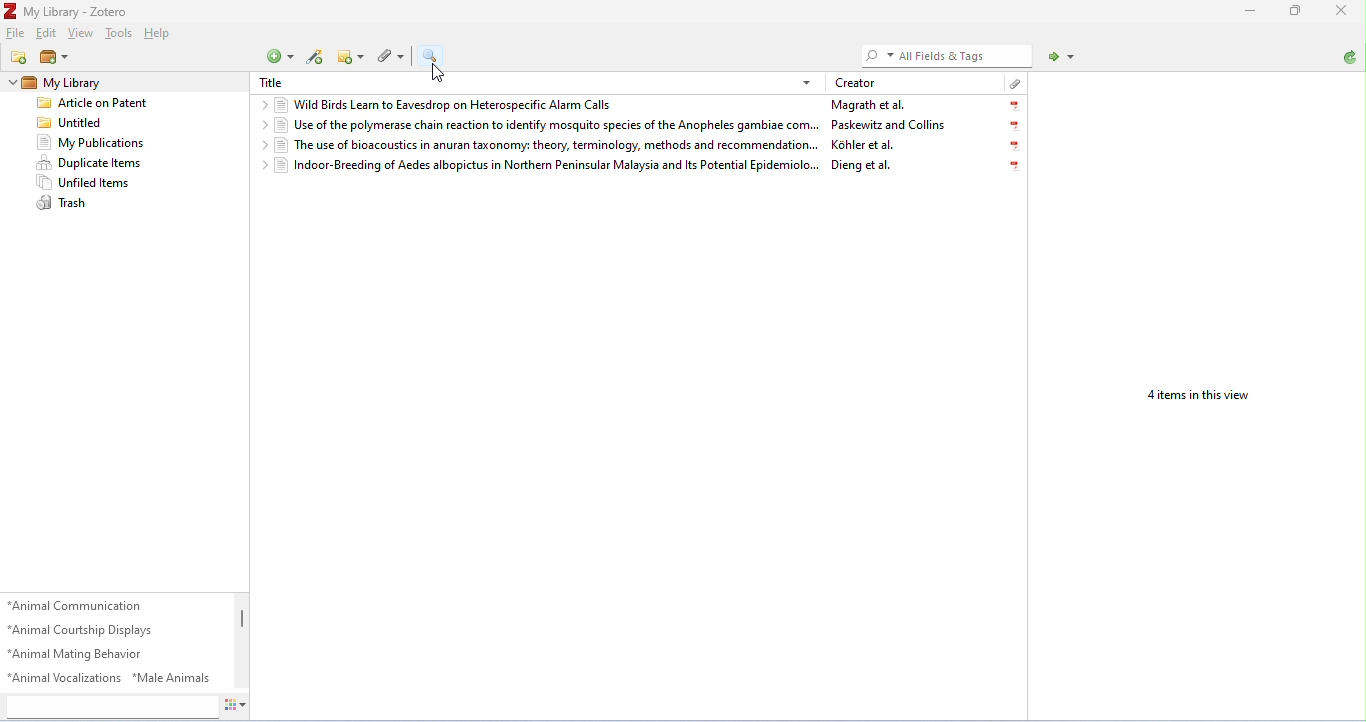 The width and height of the screenshot is (1366, 722). What do you see at coordinates (68, 84) in the screenshot?
I see `my library` at bounding box center [68, 84].